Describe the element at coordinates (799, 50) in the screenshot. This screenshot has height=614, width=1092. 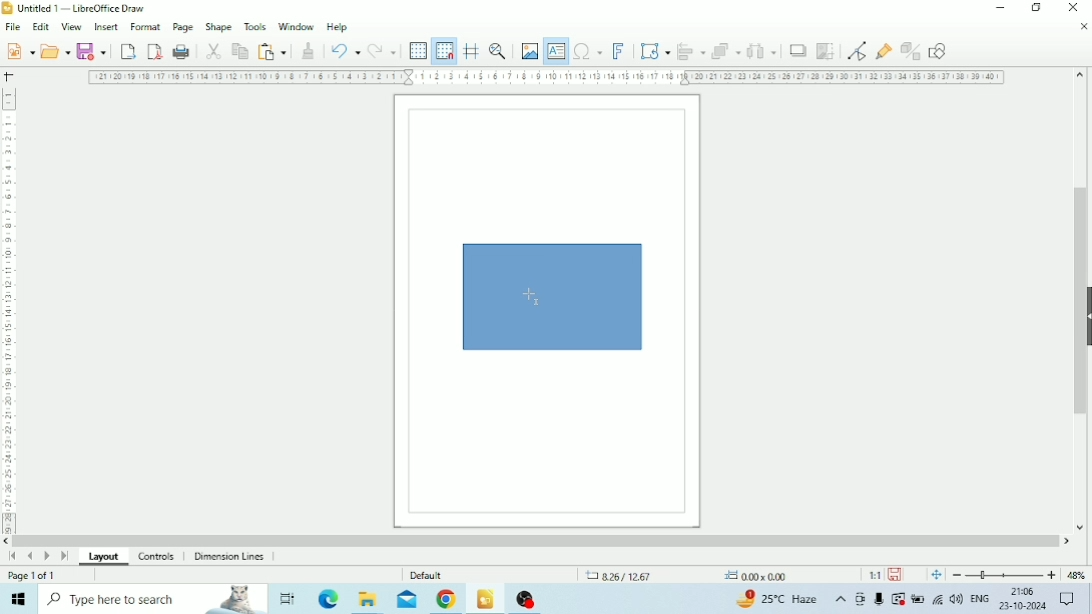
I see `Shadow` at that location.